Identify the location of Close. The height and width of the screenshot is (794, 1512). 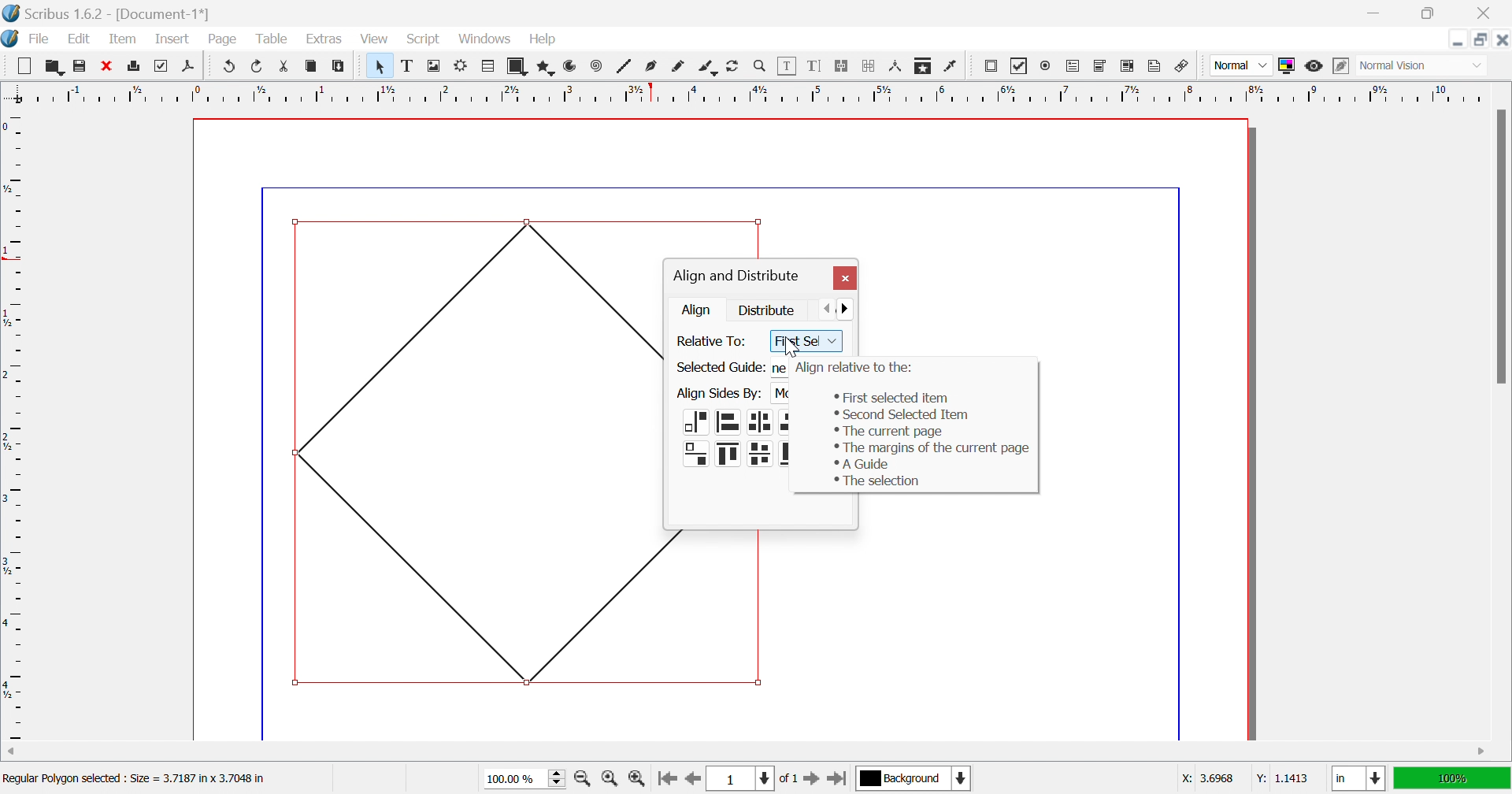
(1502, 39).